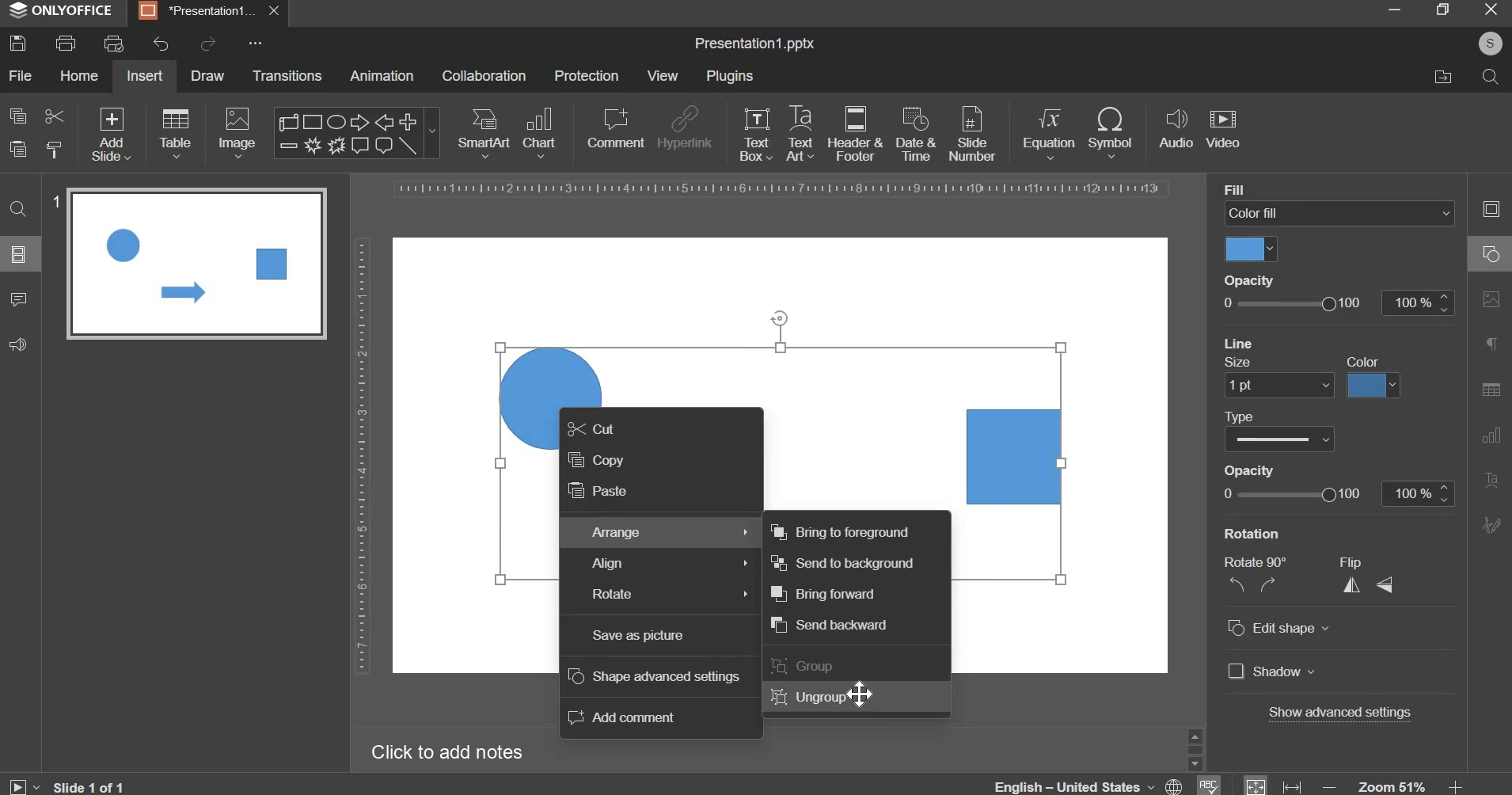 The image size is (1512, 795). I want to click on slide, so click(19, 253).